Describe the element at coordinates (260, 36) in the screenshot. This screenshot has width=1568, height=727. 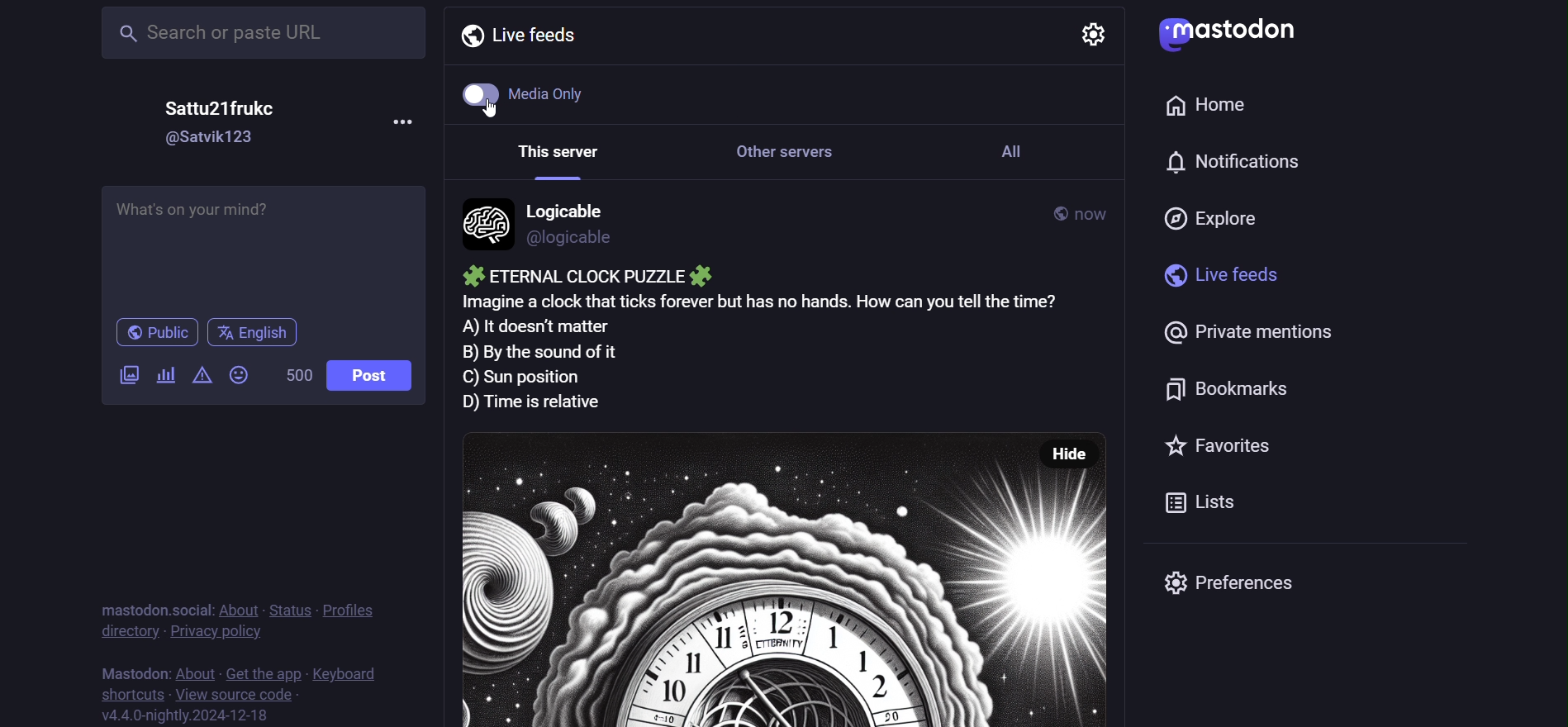
I see `search` at that location.